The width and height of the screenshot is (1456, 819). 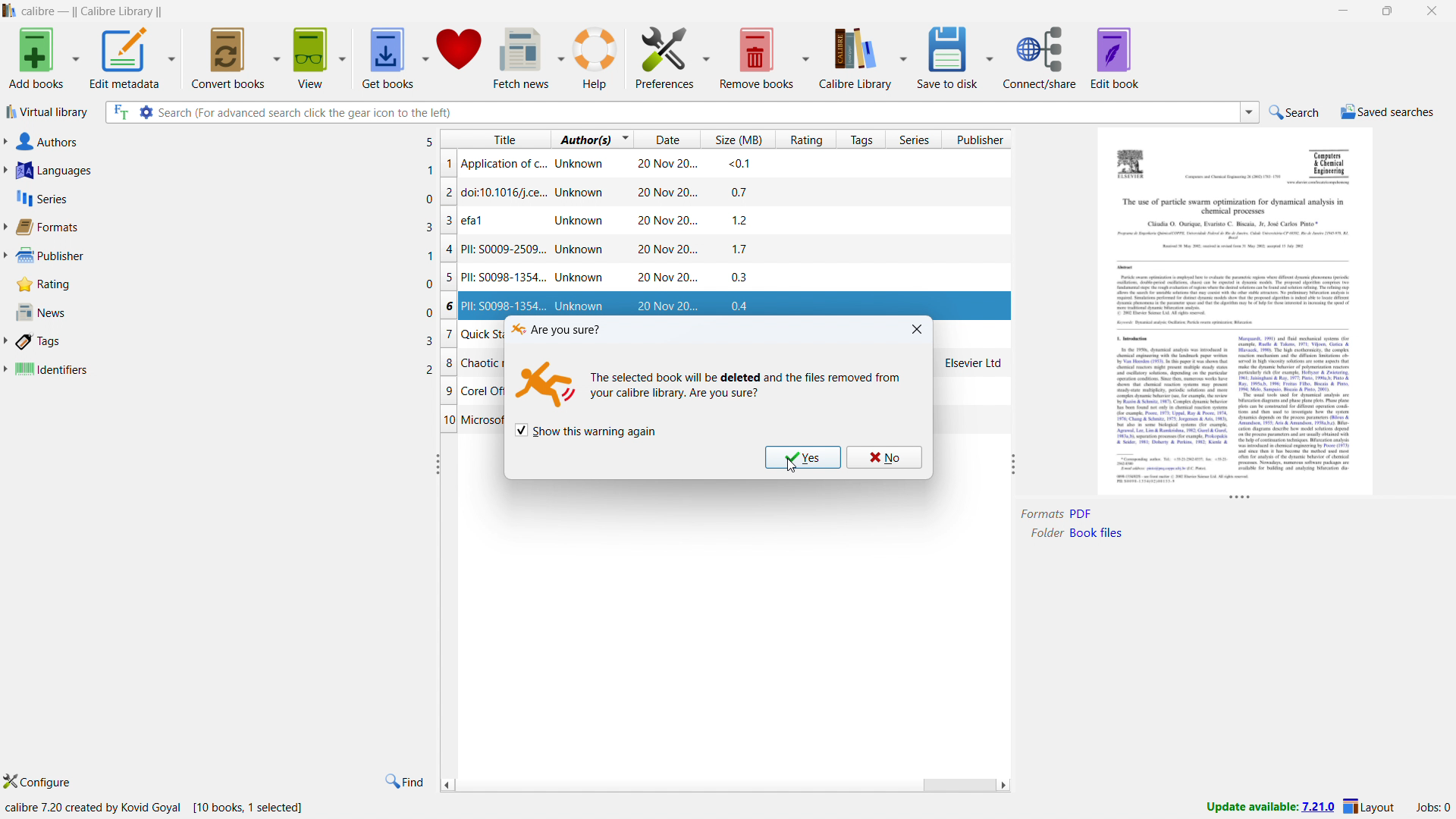 I want to click on sort by date, so click(x=666, y=139).